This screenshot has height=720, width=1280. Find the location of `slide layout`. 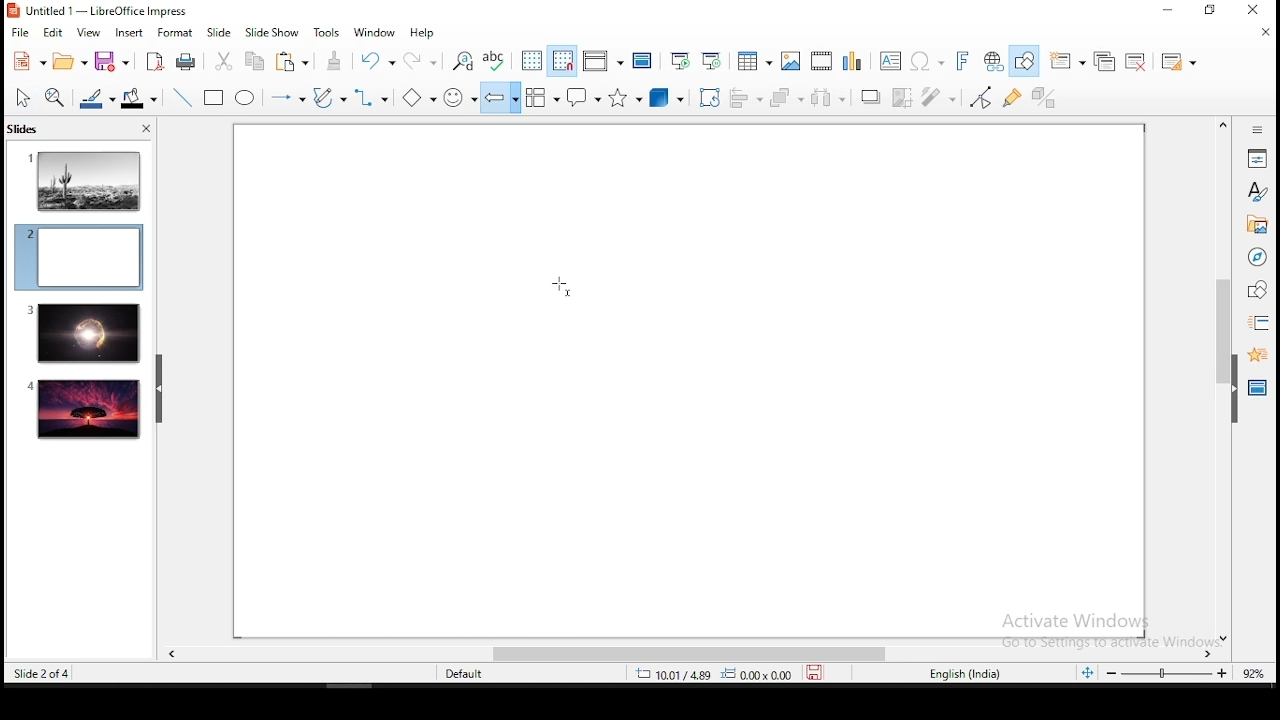

slide layout is located at coordinates (1176, 62).